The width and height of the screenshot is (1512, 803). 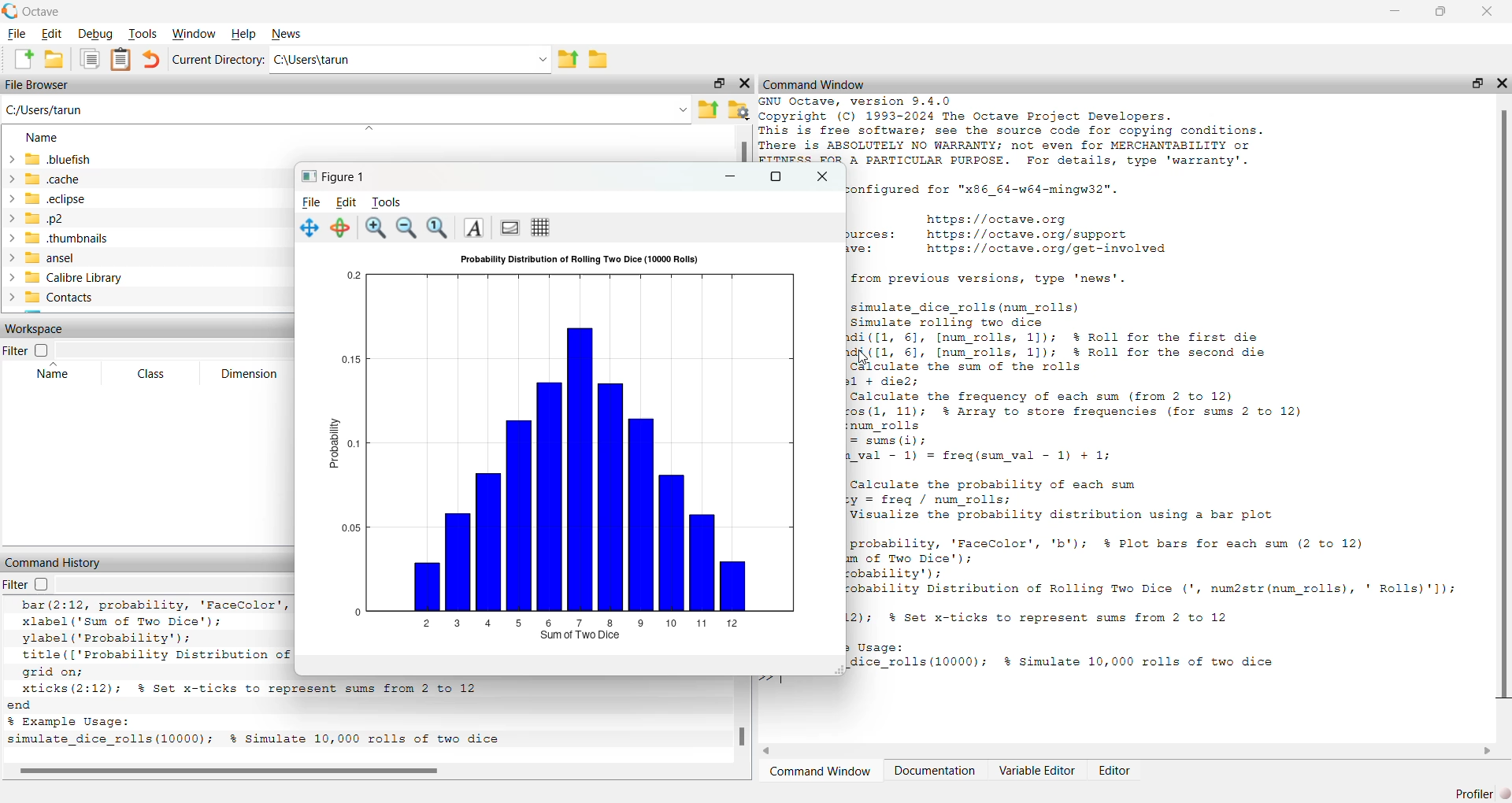 I want to click on Contacts, so click(x=54, y=296).